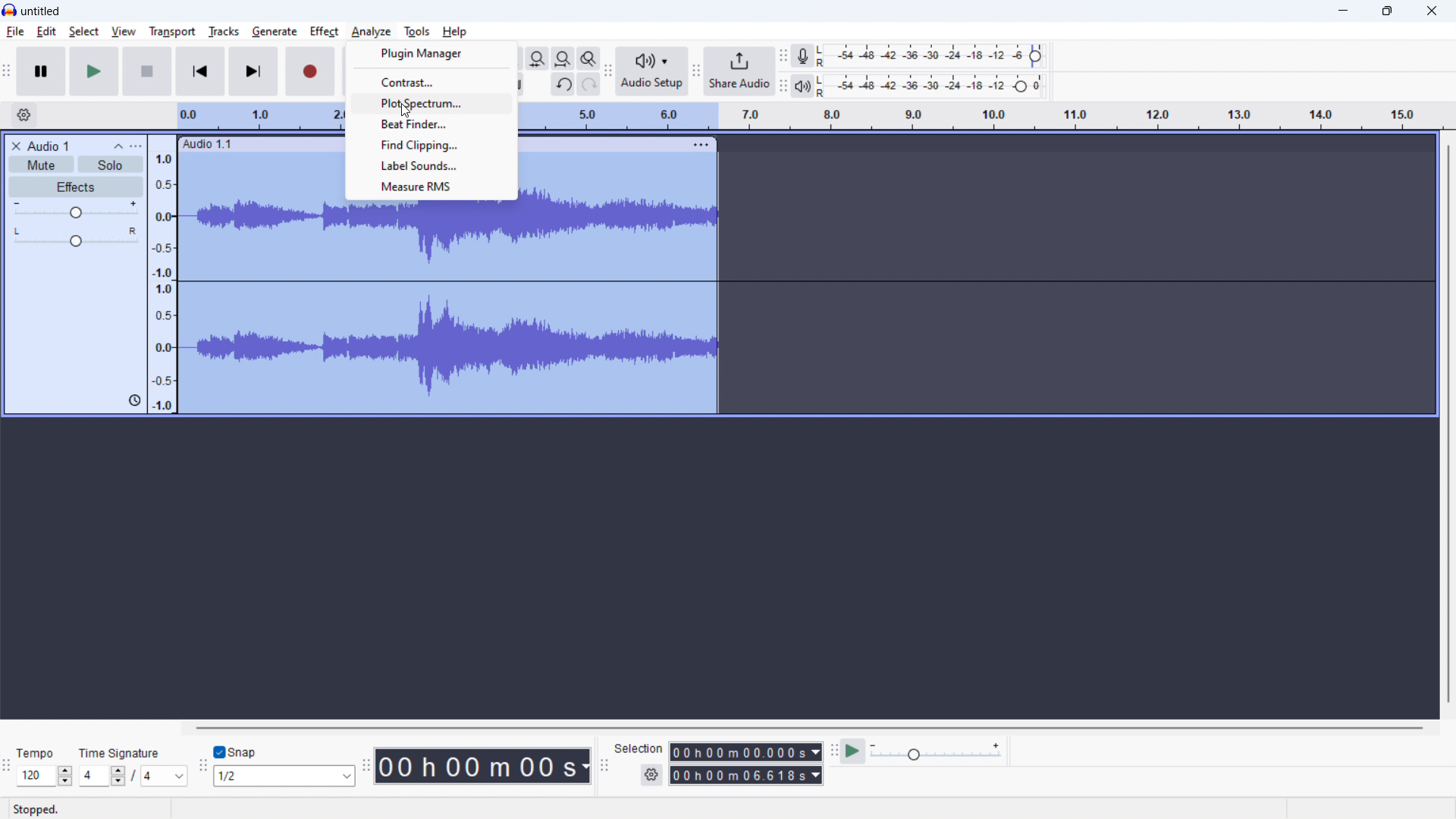  What do you see at coordinates (802, 726) in the screenshot?
I see `Horizontal scroll bar` at bounding box center [802, 726].